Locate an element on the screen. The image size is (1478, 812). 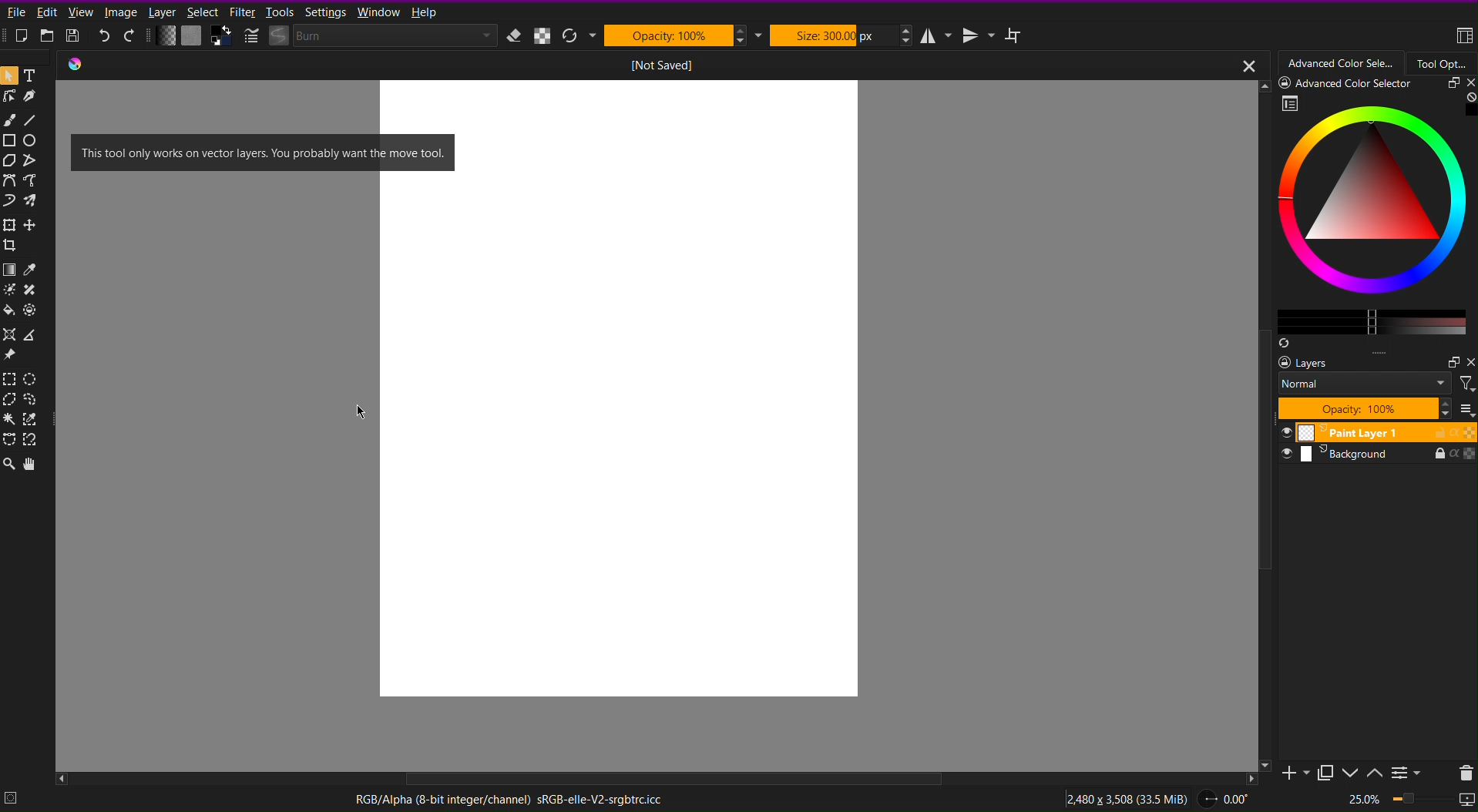
Slide Options is located at coordinates (1353, 773).